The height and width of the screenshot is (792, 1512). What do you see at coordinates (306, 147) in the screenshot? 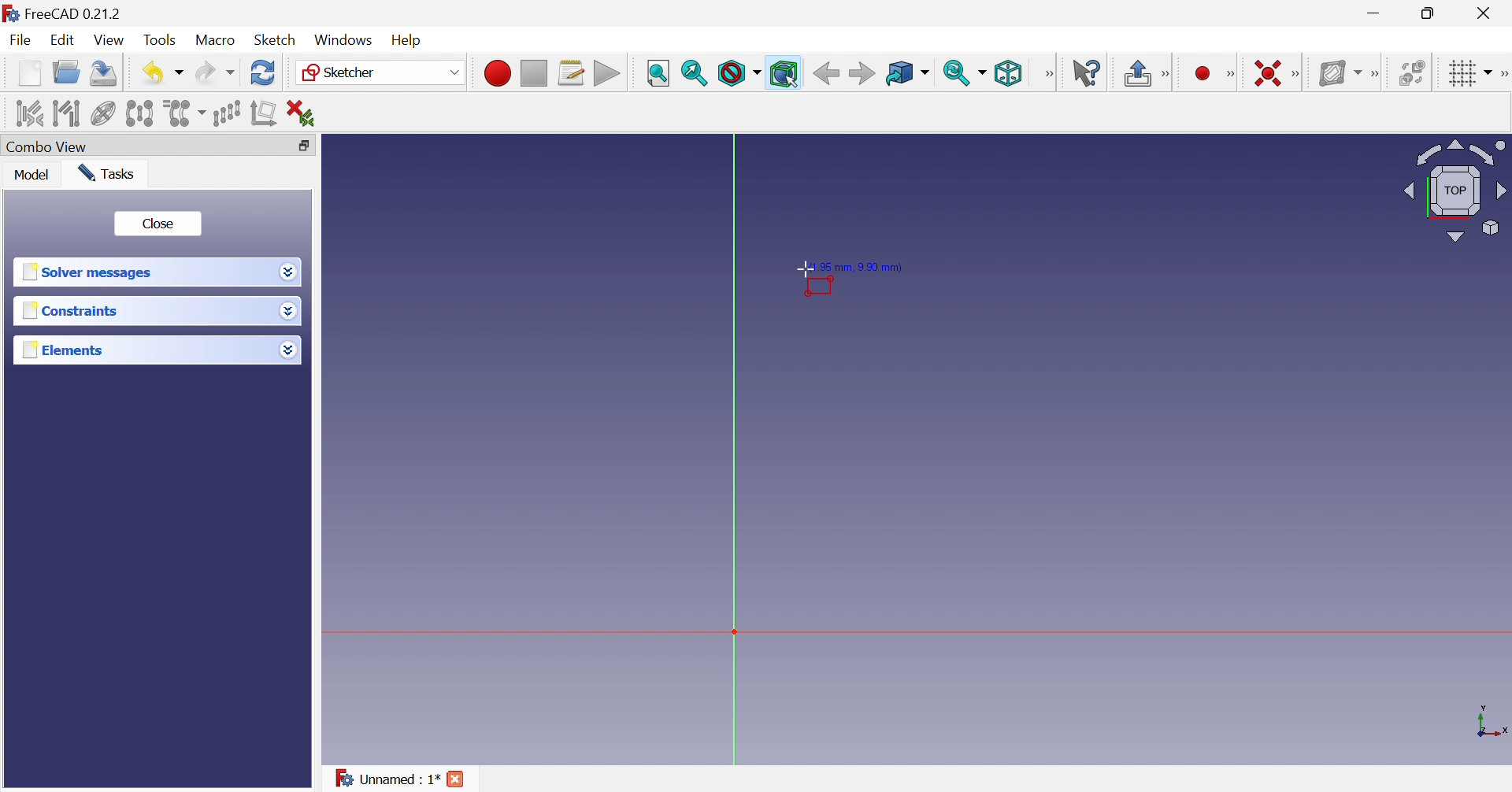
I see `Restore down` at bounding box center [306, 147].